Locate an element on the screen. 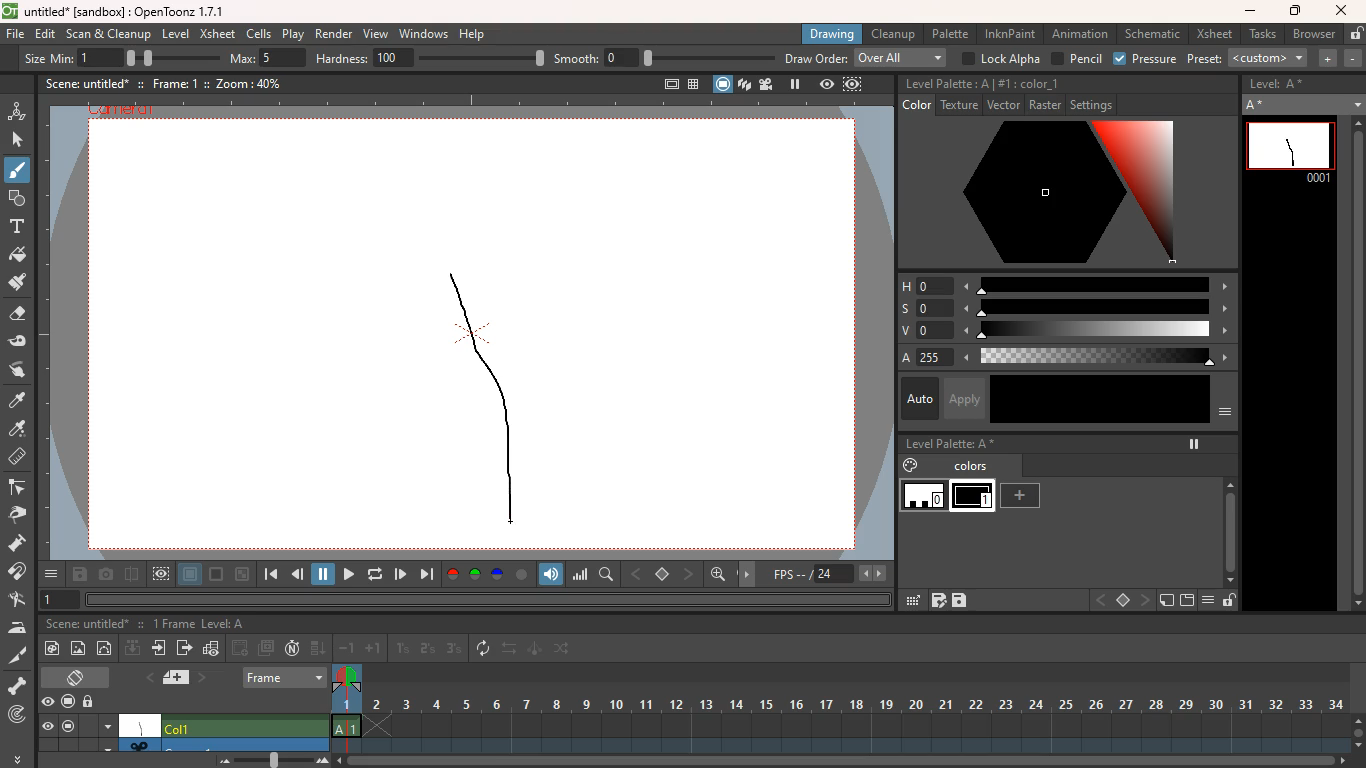 Image resolution: width=1366 pixels, height=768 pixels. refresh is located at coordinates (372, 574).